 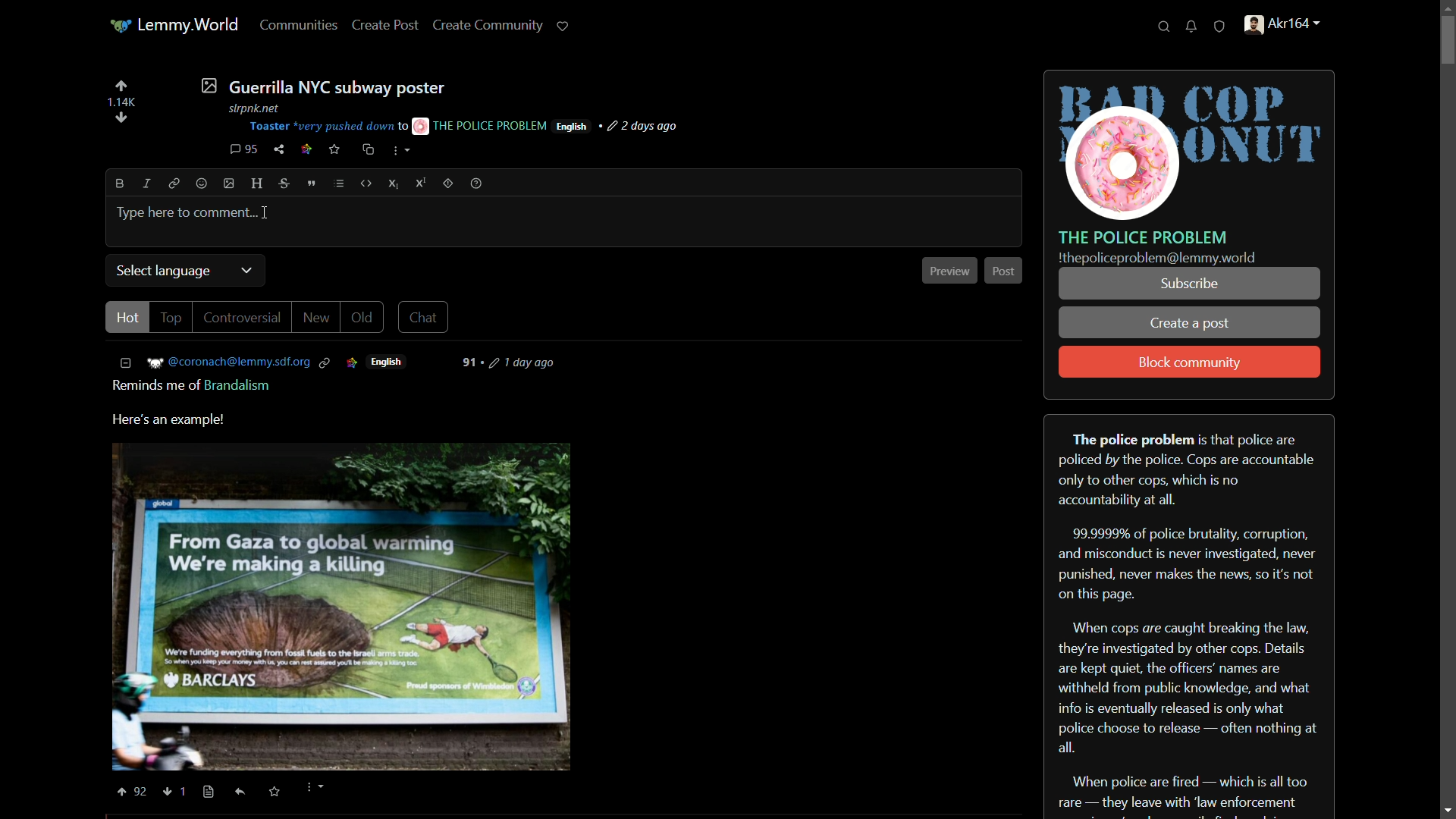 What do you see at coordinates (286, 184) in the screenshot?
I see `strikethrough` at bounding box center [286, 184].